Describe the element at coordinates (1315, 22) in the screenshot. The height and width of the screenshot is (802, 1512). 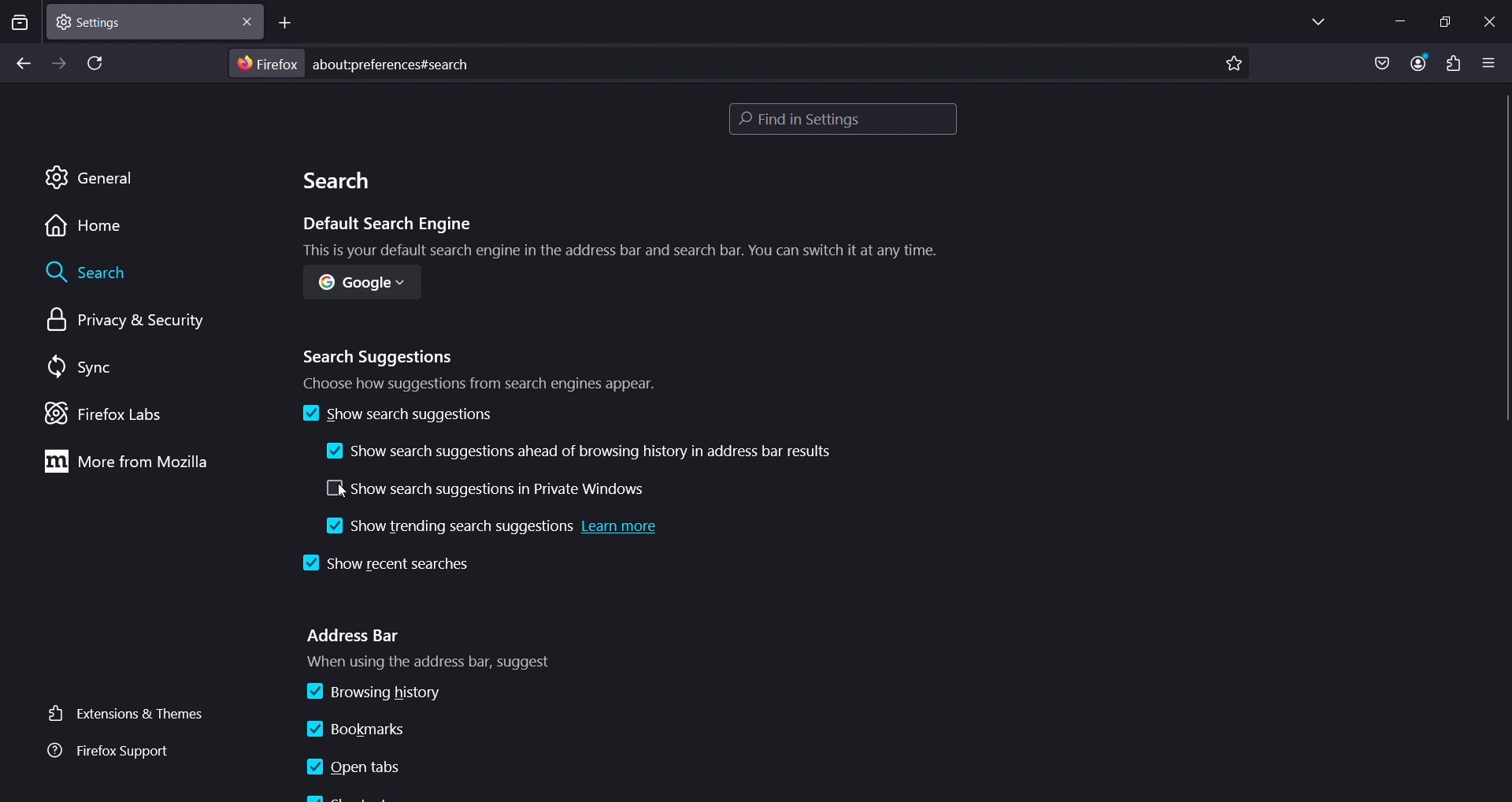
I see `list all tabs` at that location.